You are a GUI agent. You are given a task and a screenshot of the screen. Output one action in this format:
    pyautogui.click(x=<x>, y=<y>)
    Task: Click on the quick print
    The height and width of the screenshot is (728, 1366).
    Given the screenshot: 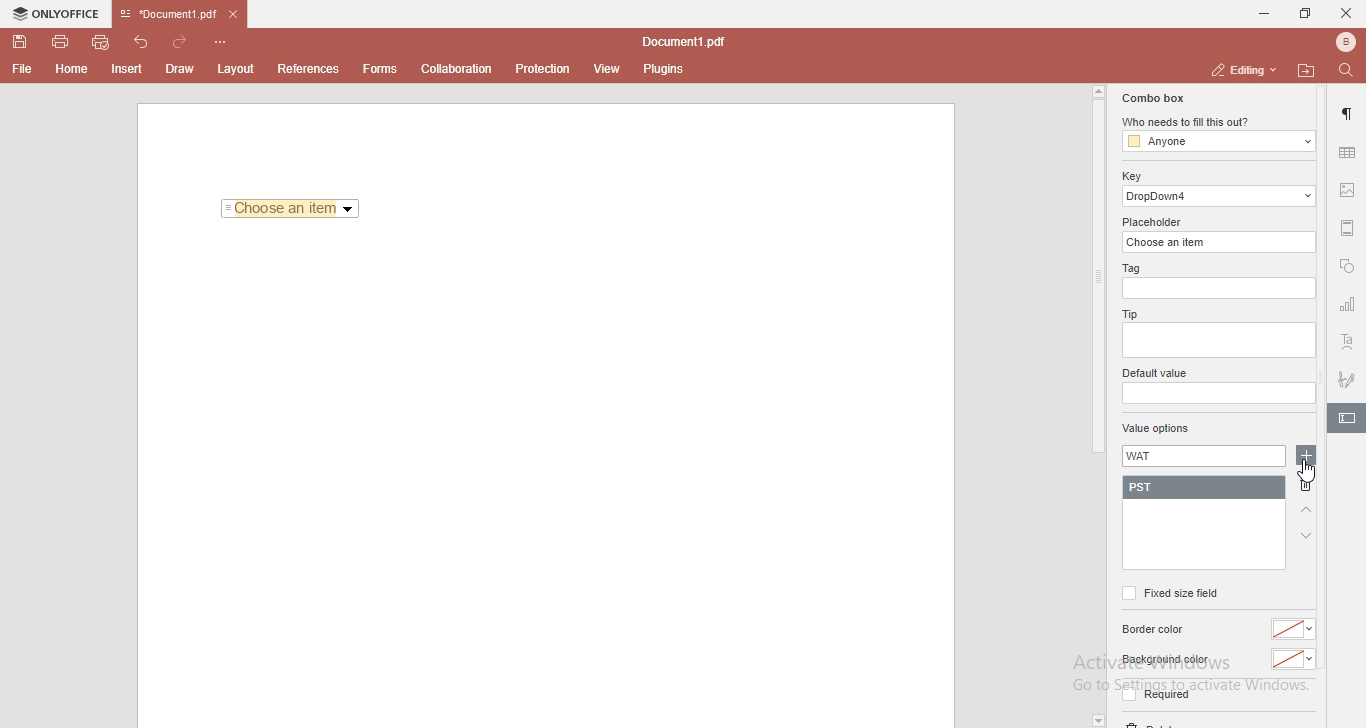 What is the action you would take?
    pyautogui.click(x=102, y=41)
    